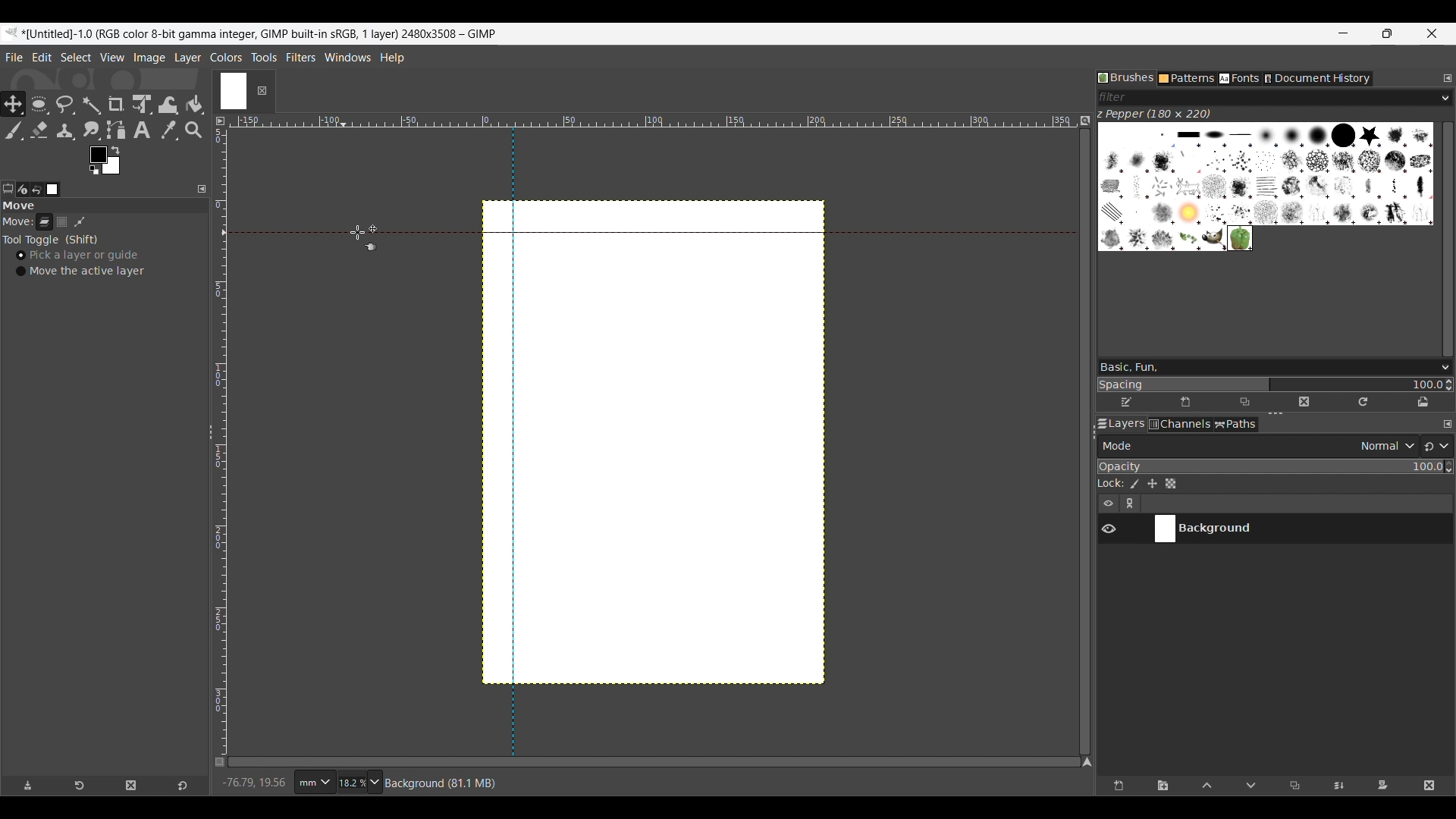 Image resolution: width=1456 pixels, height=819 pixels. I want to click on Images, so click(53, 190).